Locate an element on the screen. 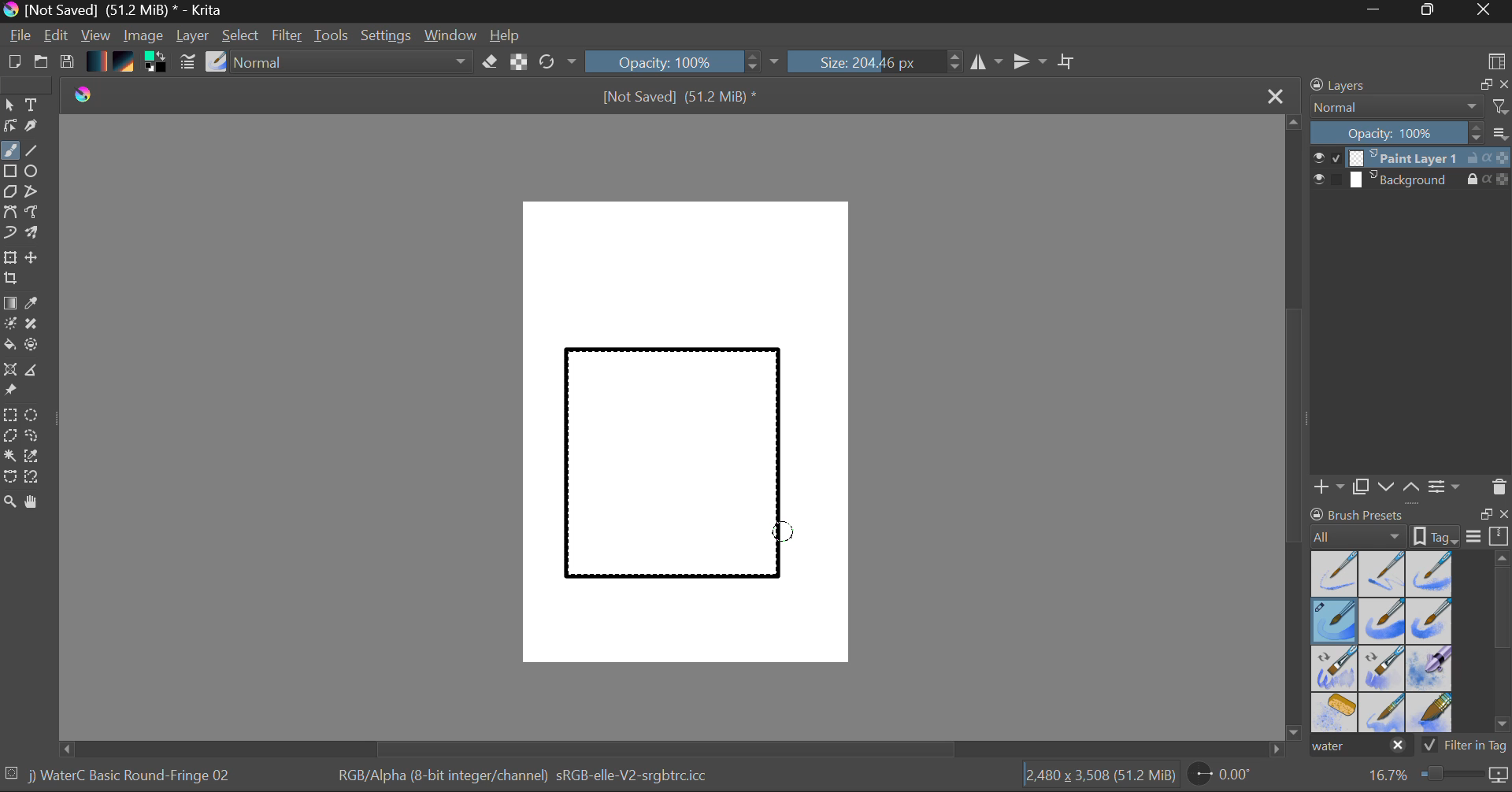 The width and height of the screenshot is (1512, 792). Smart Assistant is located at coordinates (9, 372).